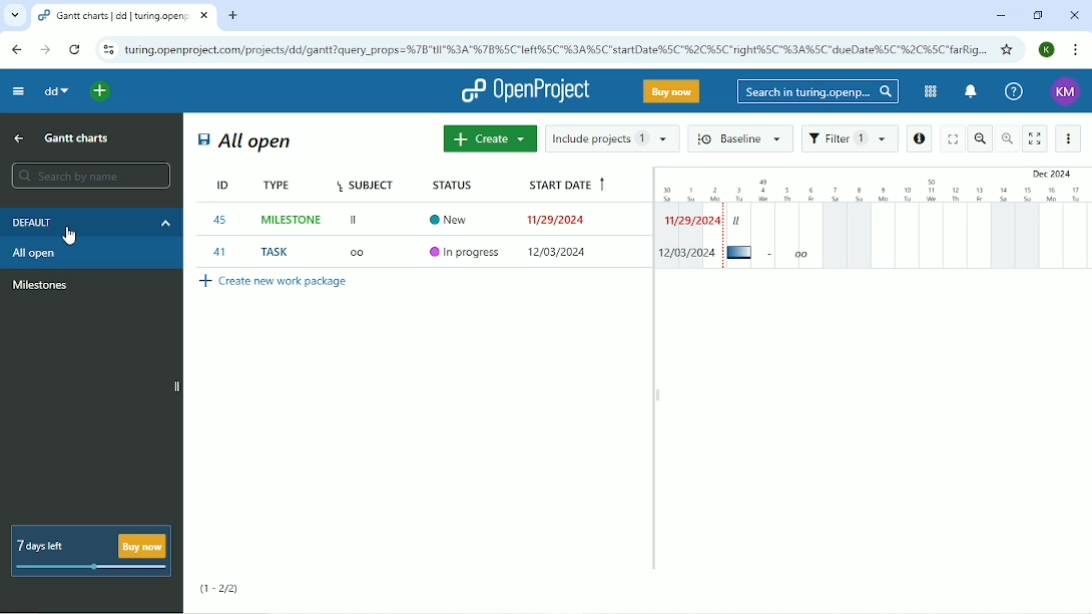 This screenshot has width=1092, height=614. What do you see at coordinates (920, 138) in the screenshot?
I see `Open details view` at bounding box center [920, 138].